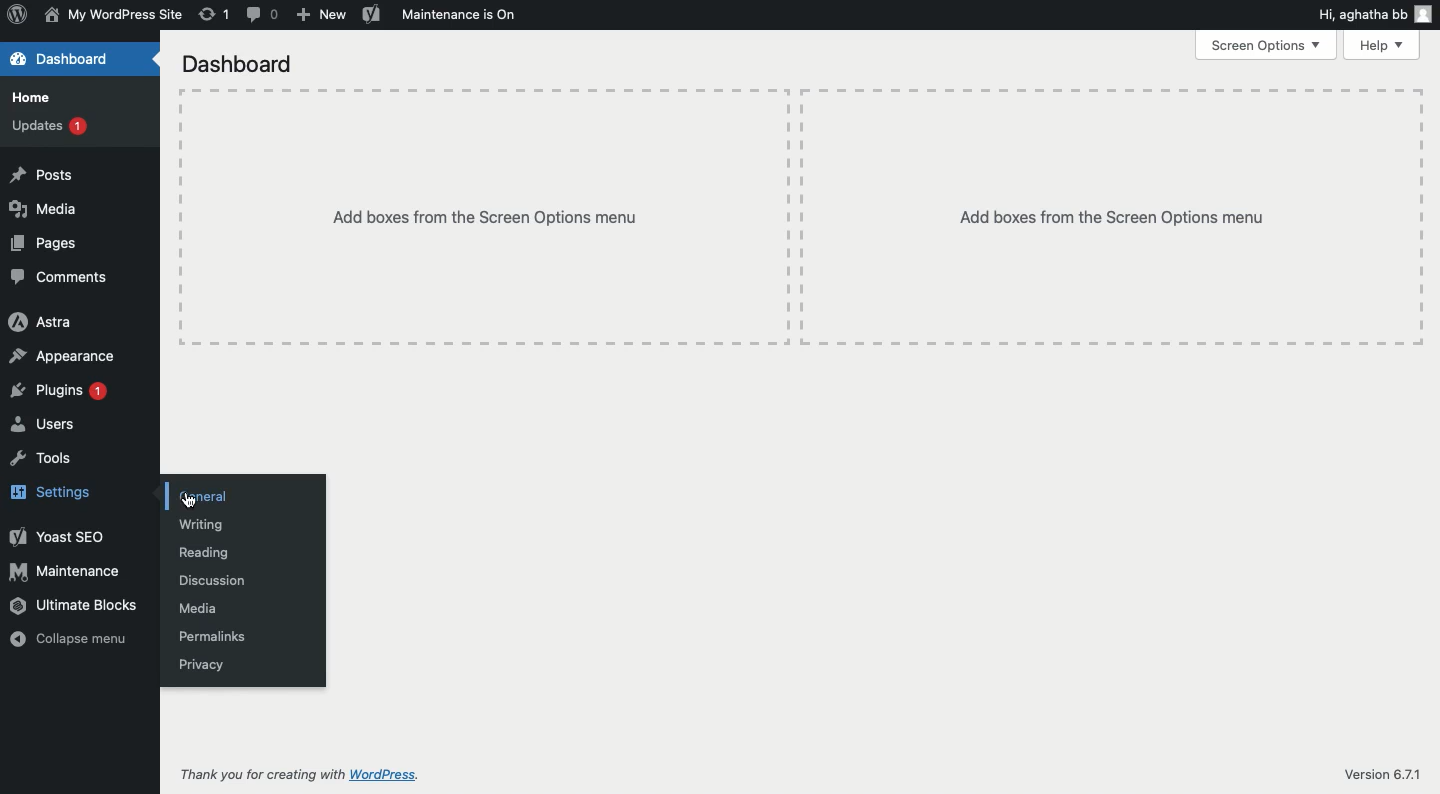 The width and height of the screenshot is (1440, 794). What do you see at coordinates (385, 776) in the screenshot?
I see `wordpress` at bounding box center [385, 776].